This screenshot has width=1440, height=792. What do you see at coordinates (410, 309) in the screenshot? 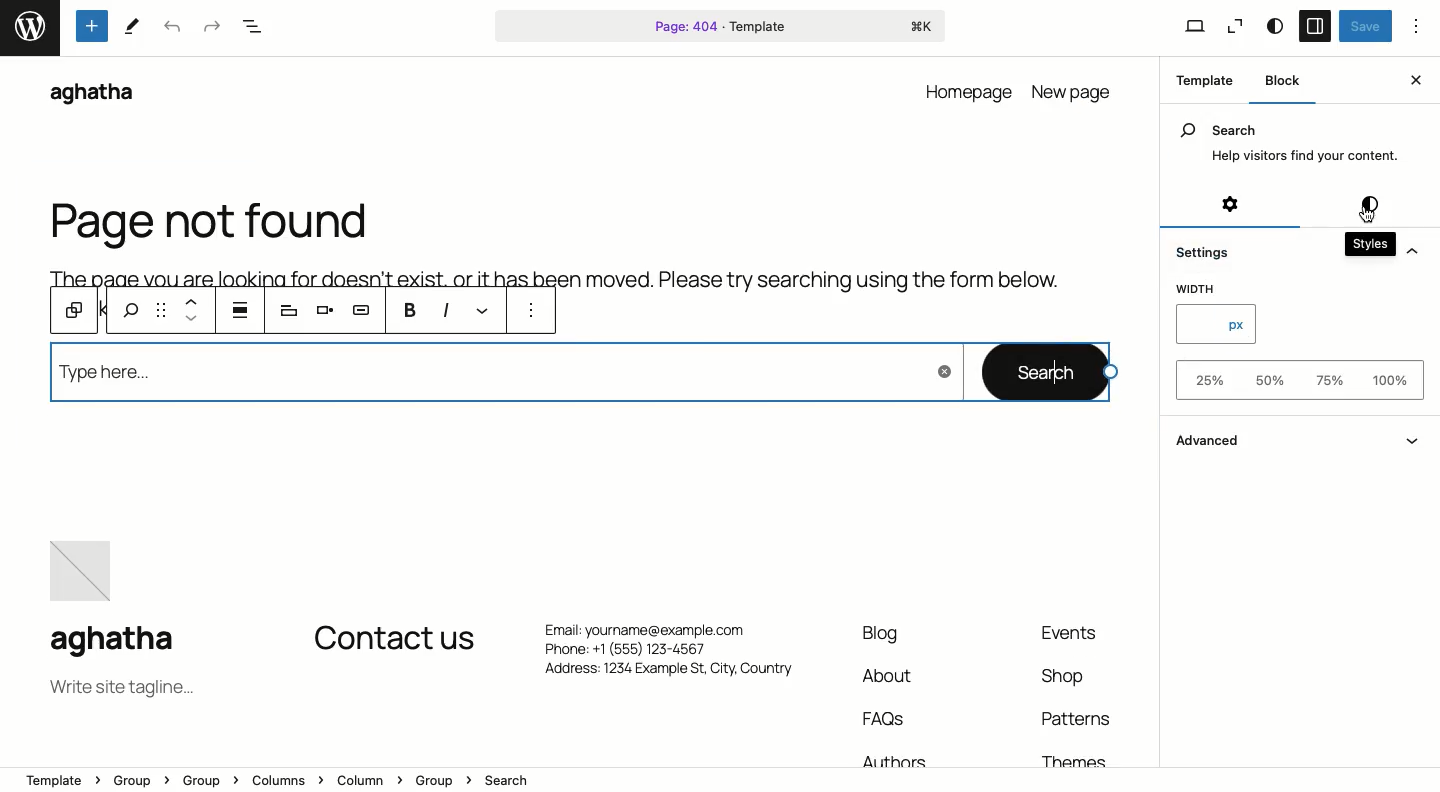
I see `Bold` at bounding box center [410, 309].